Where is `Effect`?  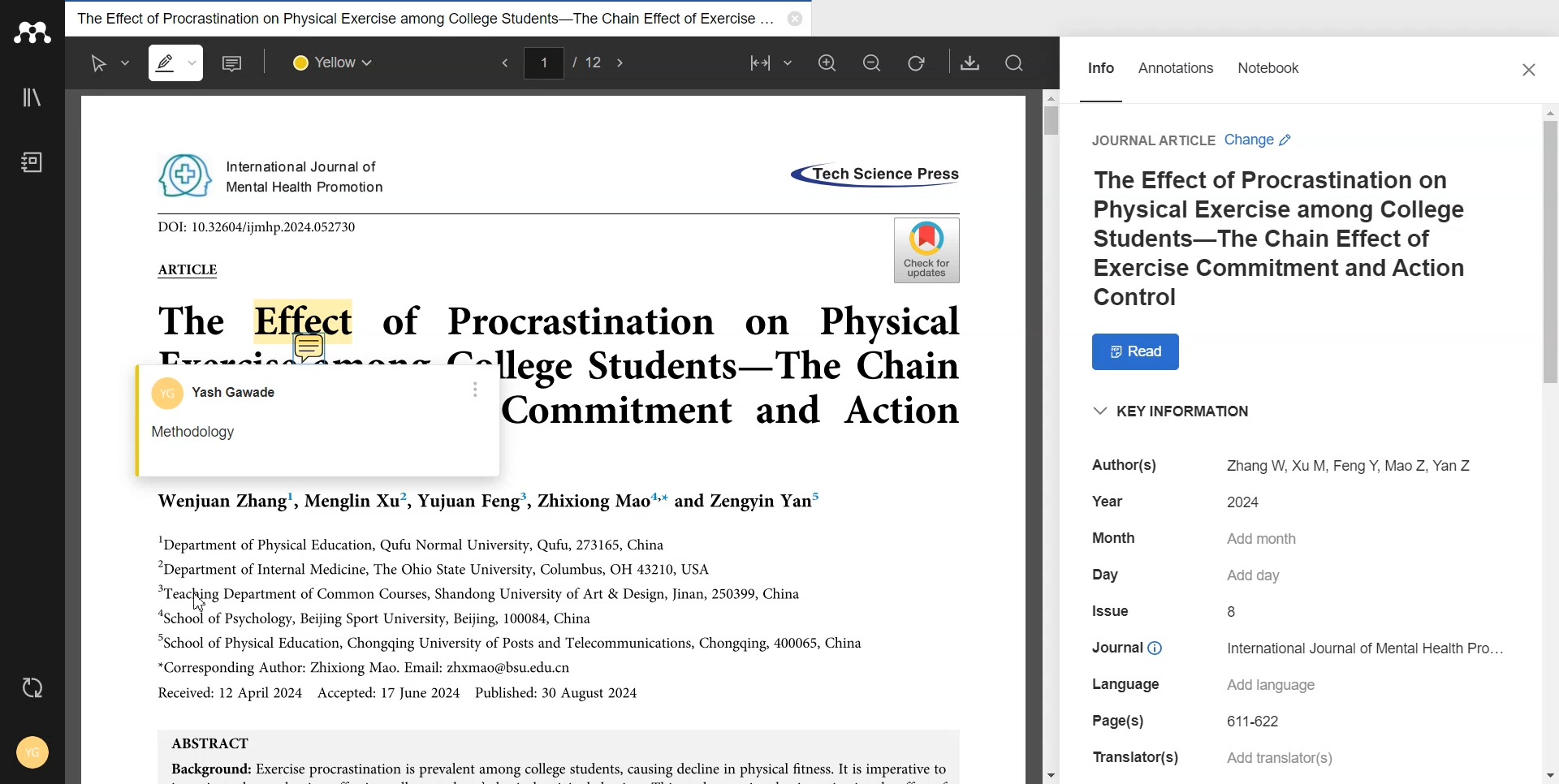 Effect is located at coordinates (301, 314).